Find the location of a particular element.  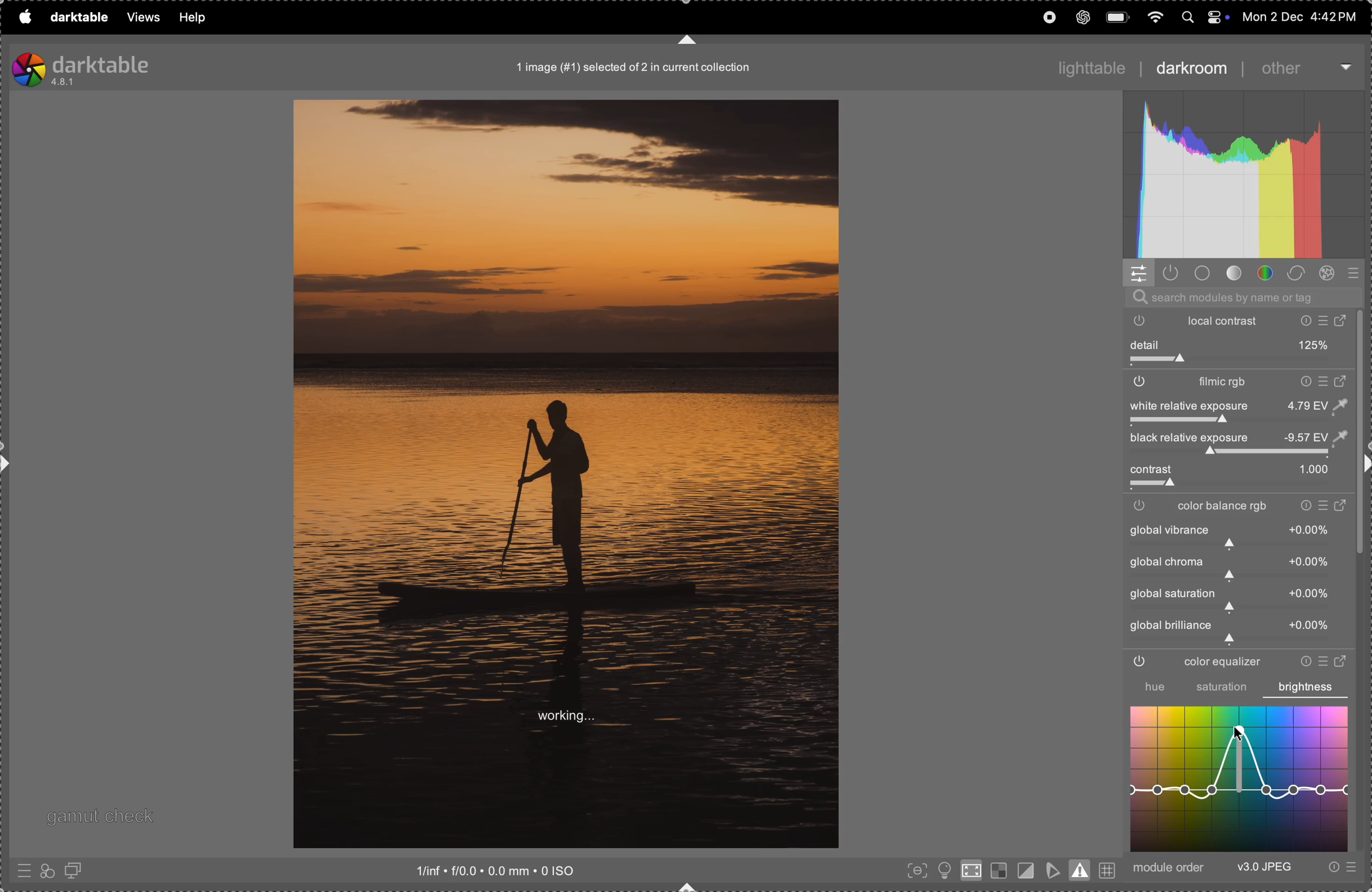

detail is located at coordinates (1240, 345).